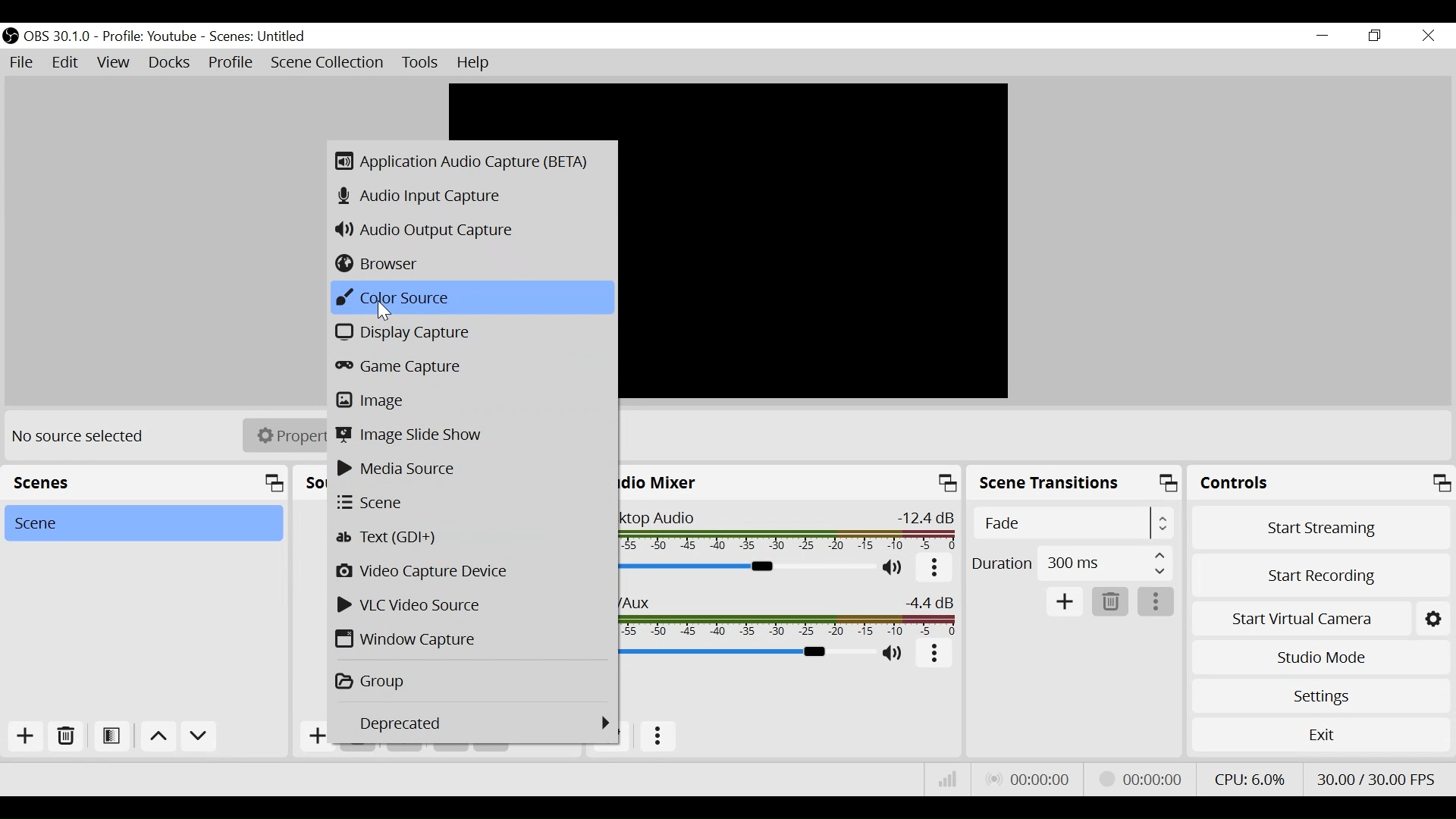 The height and width of the screenshot is (819, 1456). I want to click on Scene Collection, so click(327, 62).